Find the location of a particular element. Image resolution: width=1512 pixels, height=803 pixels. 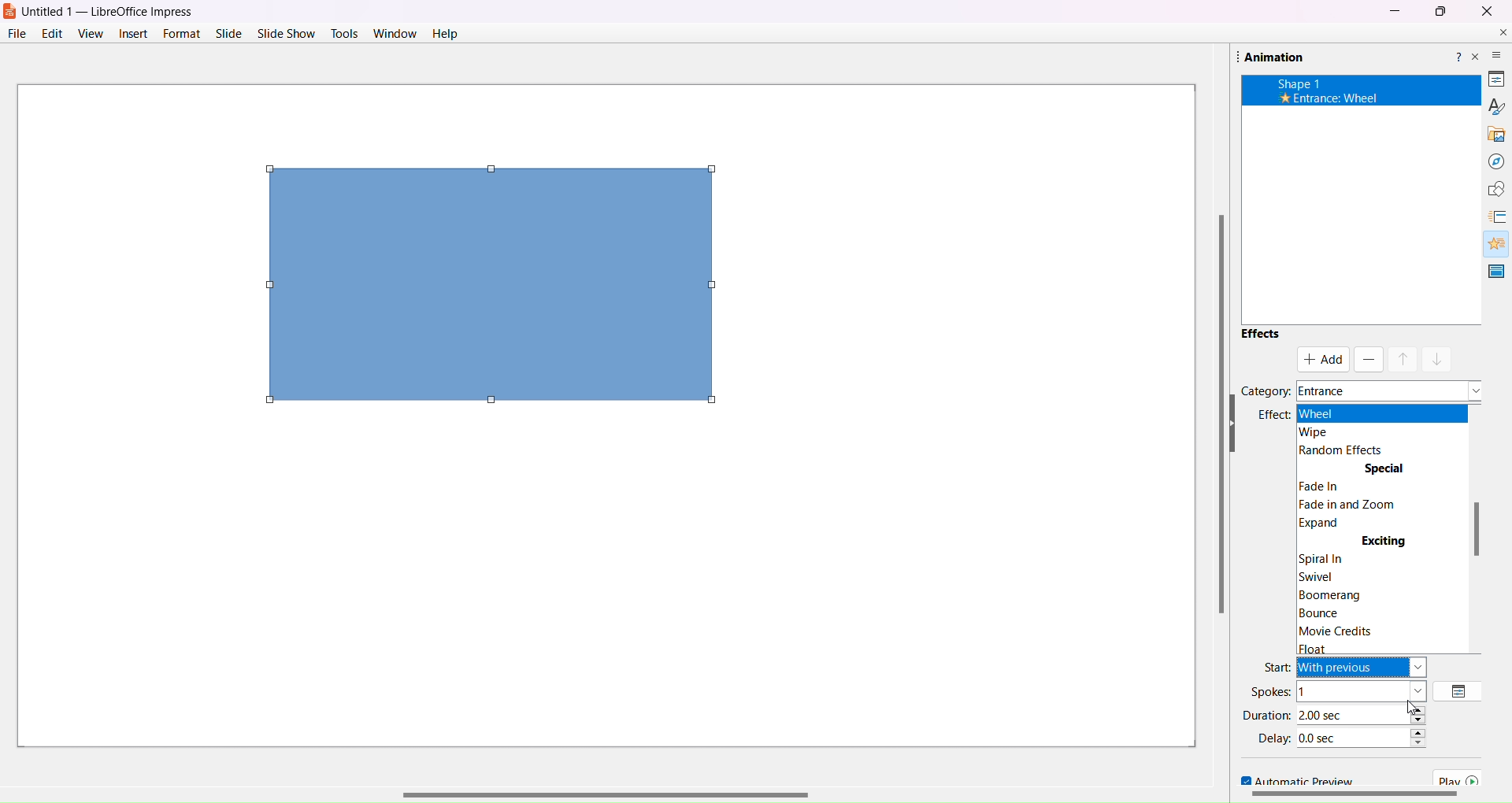

LY Untitled 1 — LibreOffice Impress. is located at coordinates (120, 9).